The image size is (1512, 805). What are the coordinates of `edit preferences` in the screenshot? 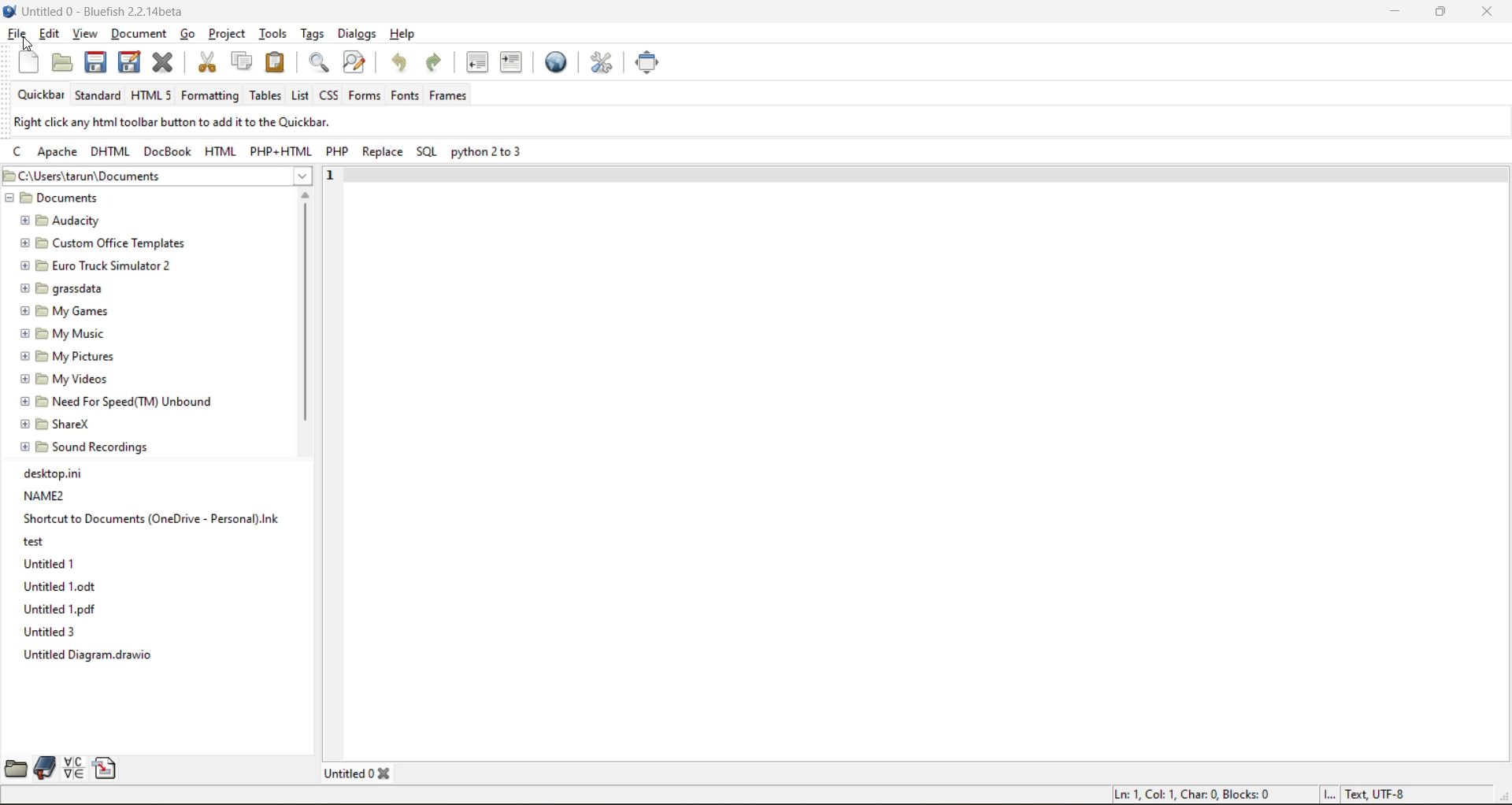 It's located at (600, 62).